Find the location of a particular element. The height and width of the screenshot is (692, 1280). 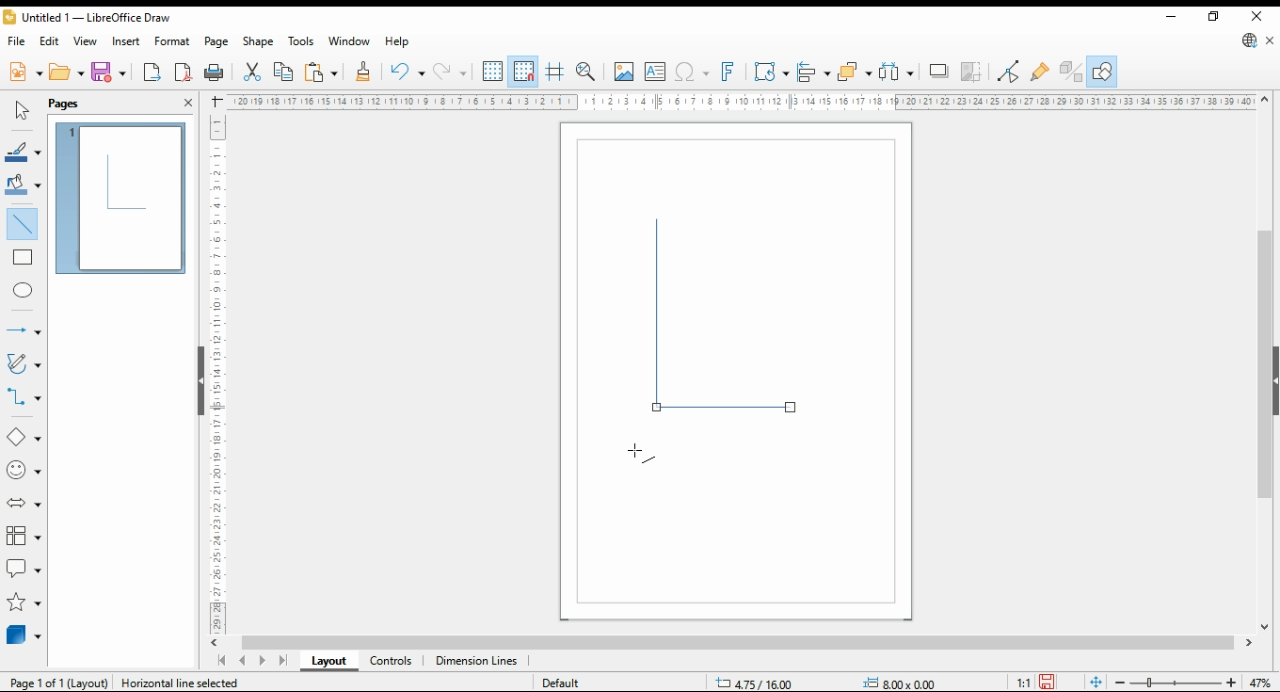

1:1 ratio is located at coordinates (1036, 680).